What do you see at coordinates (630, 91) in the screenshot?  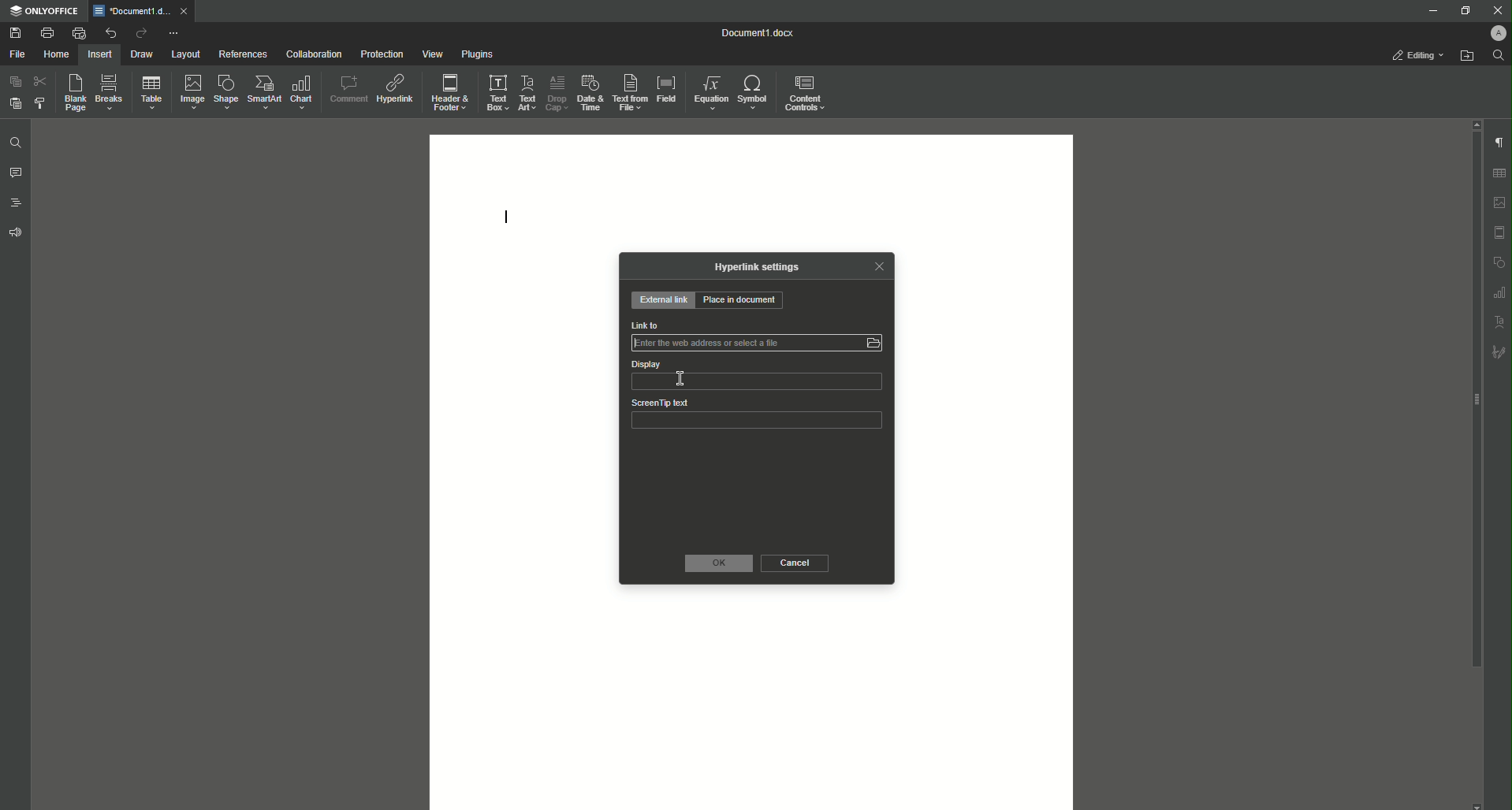 I see `Text From File` at bounding box center [630, 91].